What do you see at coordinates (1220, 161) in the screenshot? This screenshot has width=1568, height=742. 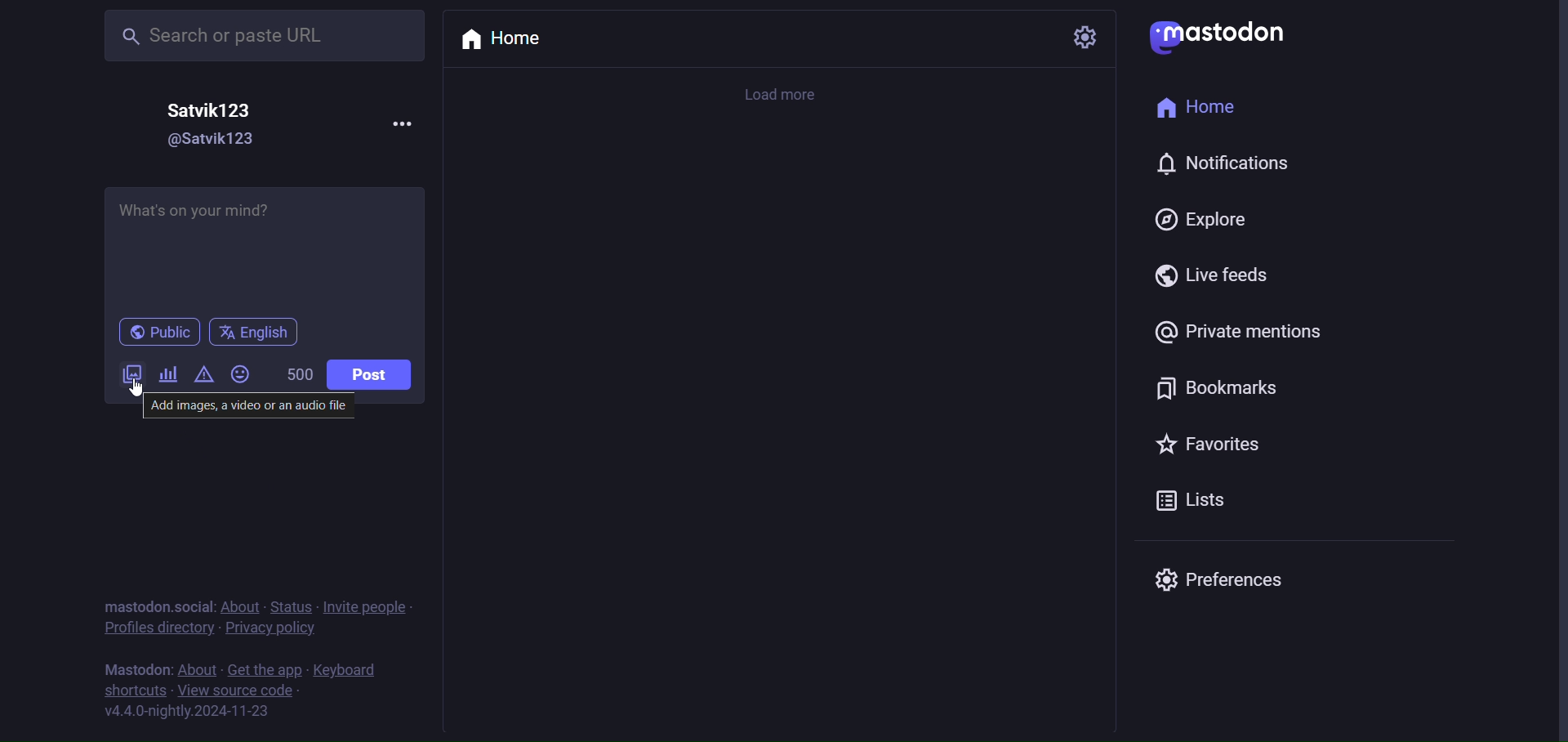 I see `notification` at bounding box center [1220, 161].